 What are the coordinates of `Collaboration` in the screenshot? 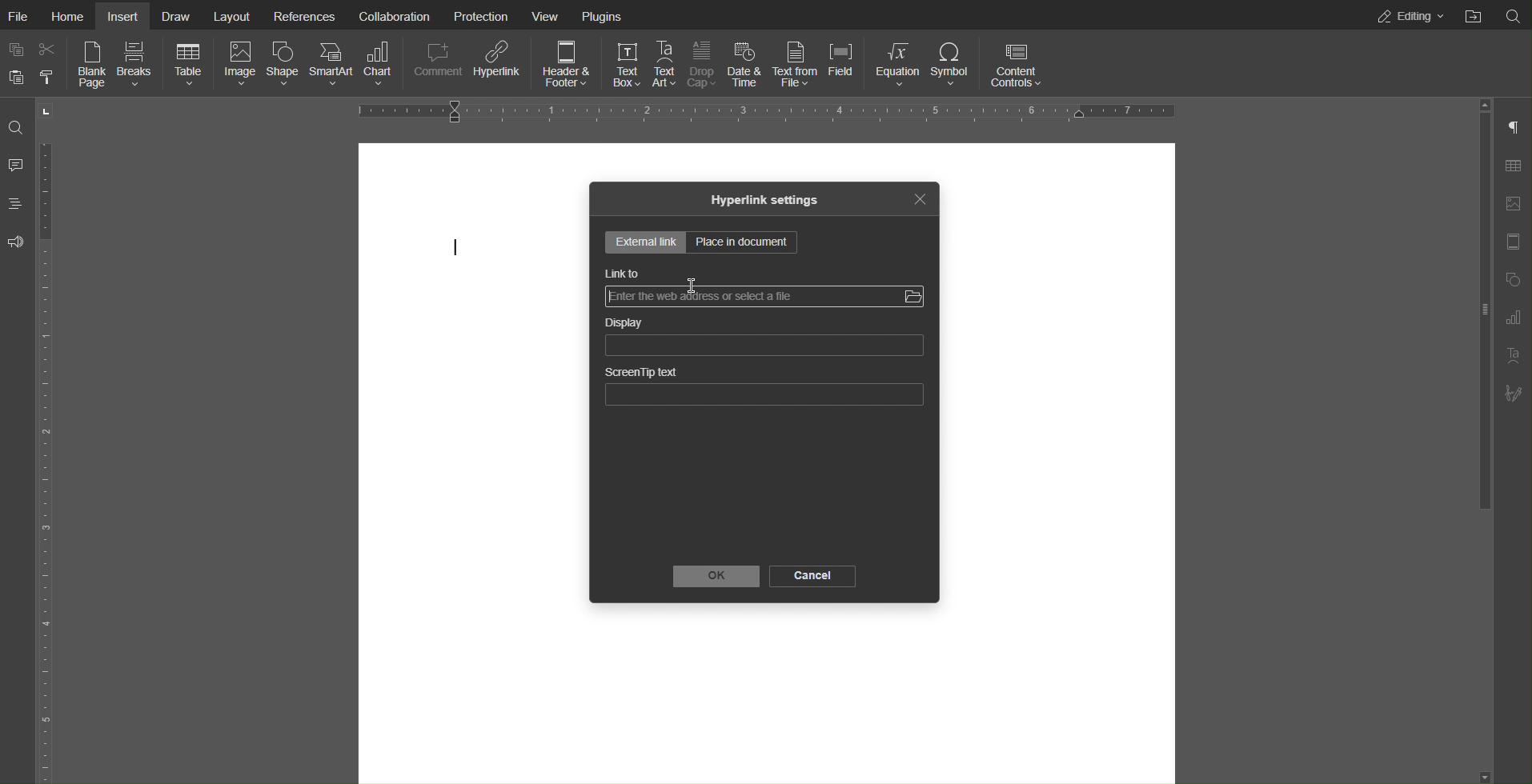 It's located at (393, 14).